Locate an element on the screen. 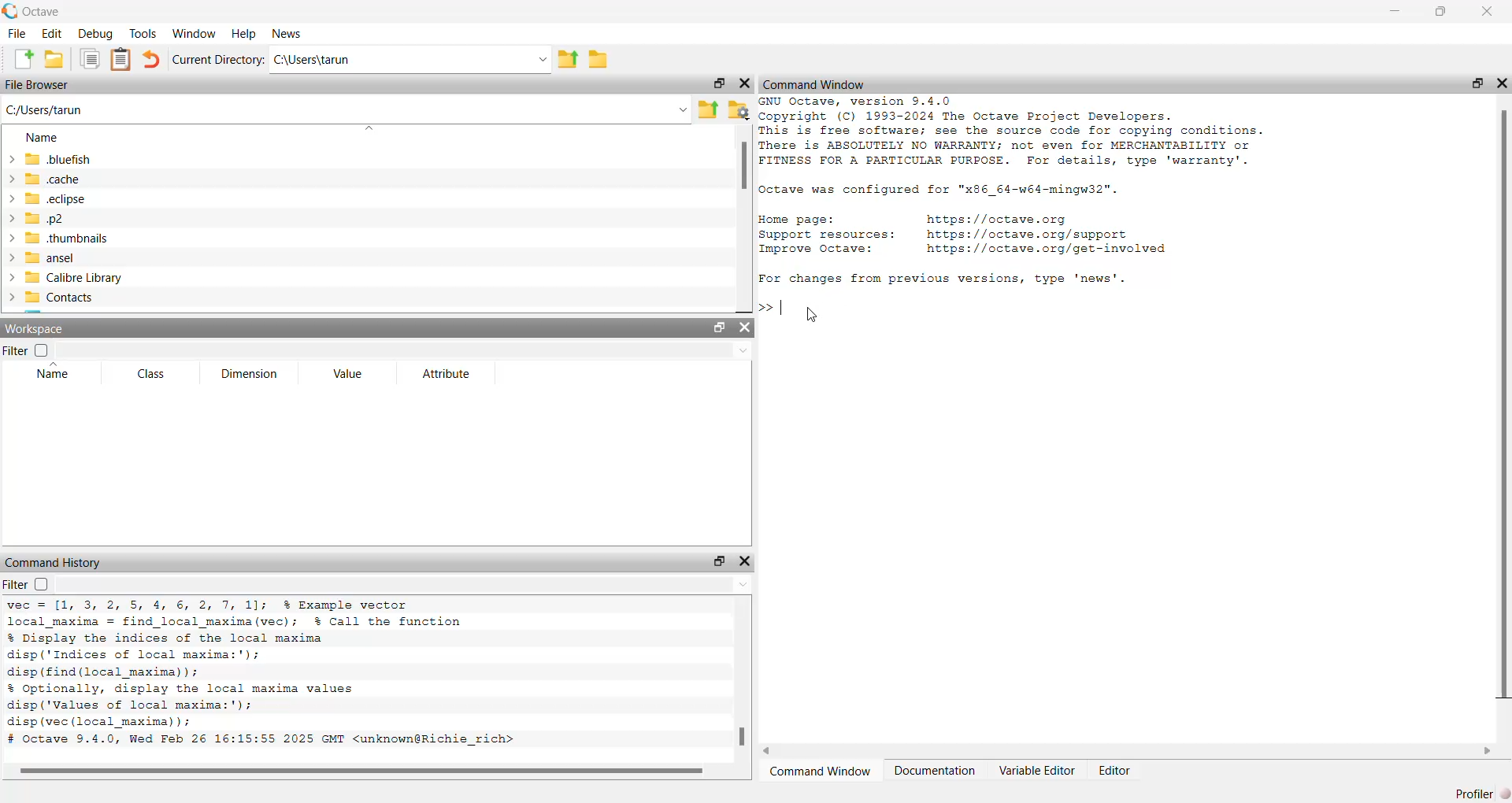 The image size is (1512, 803). Open an existing file in editor is located at coordinates (55, 58).